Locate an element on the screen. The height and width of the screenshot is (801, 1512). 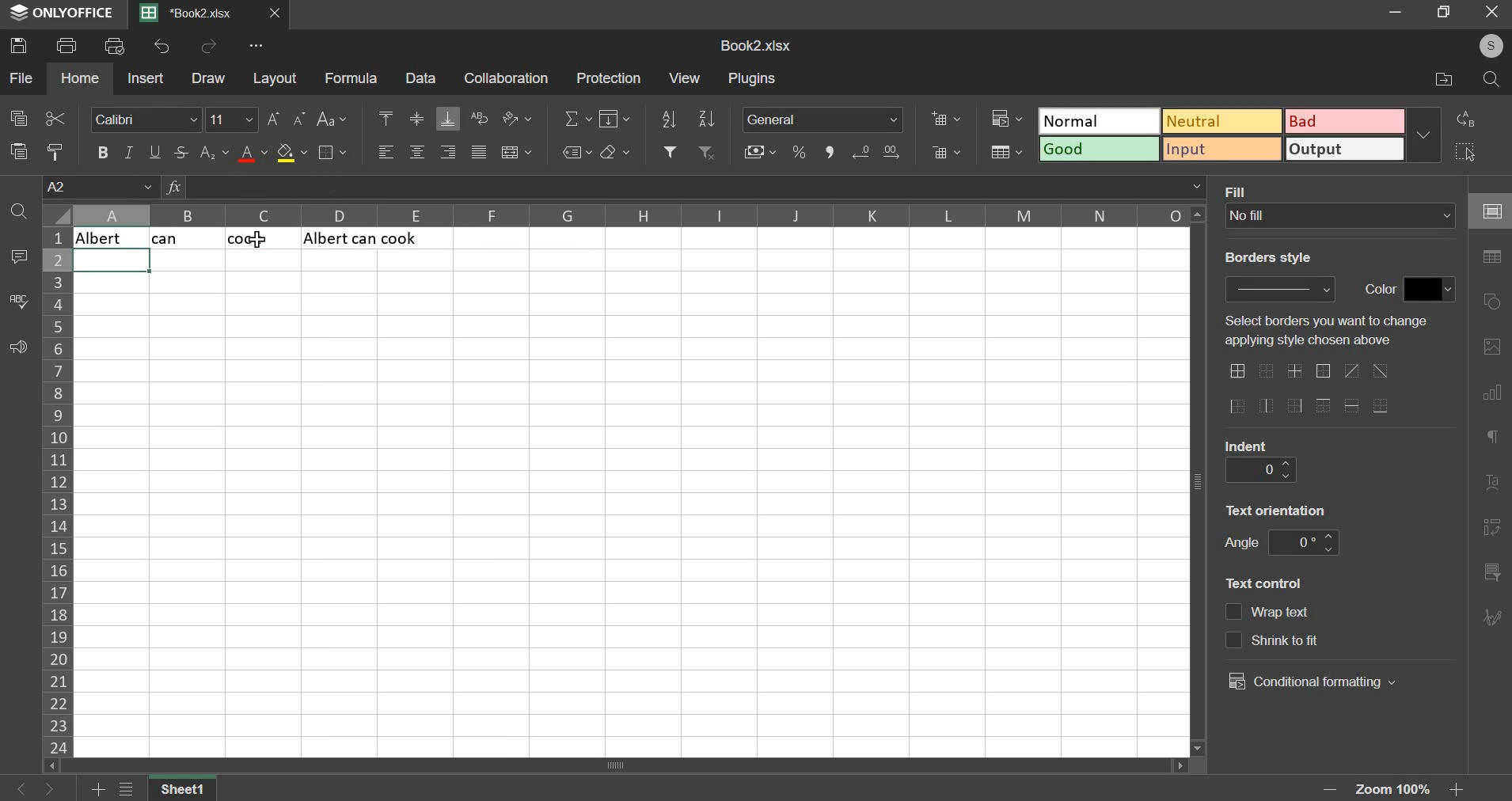
font is located at coordinates (145, 120).